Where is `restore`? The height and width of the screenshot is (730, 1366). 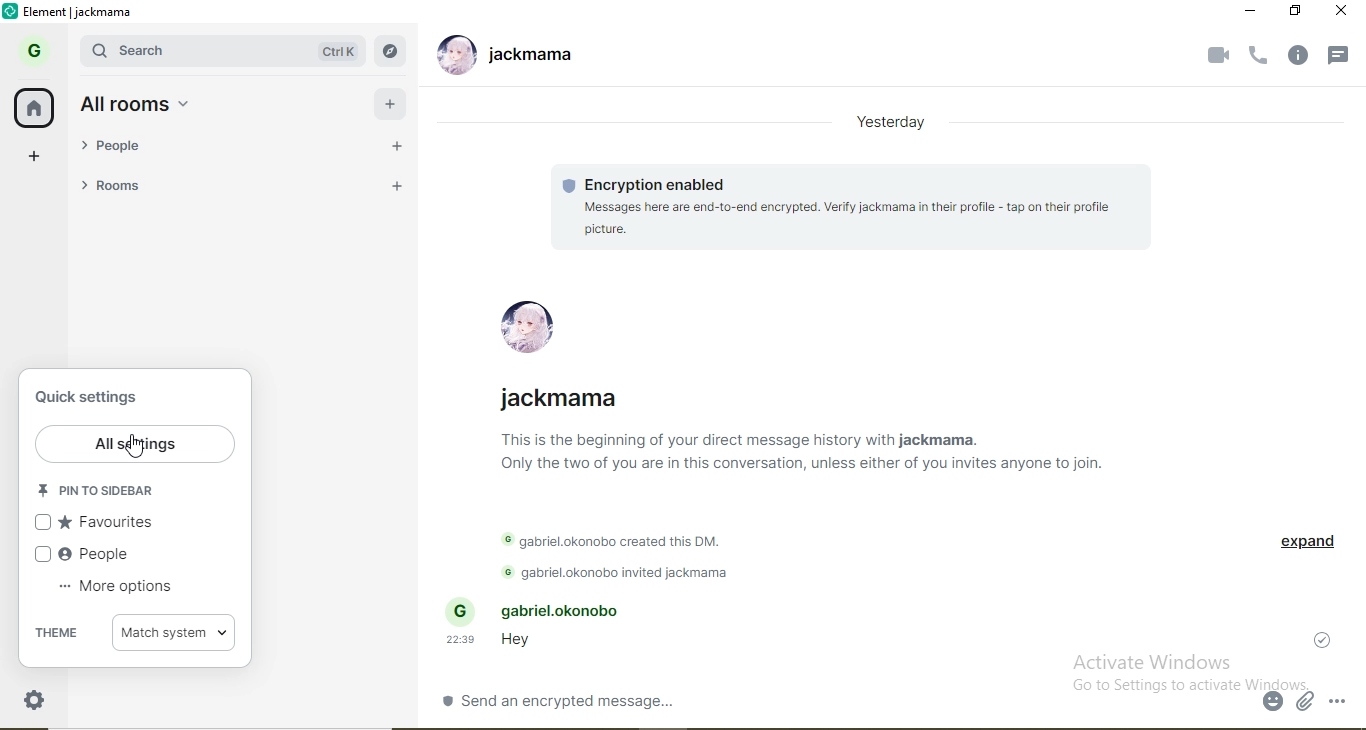
restore is located at coordinates (1297, 11).